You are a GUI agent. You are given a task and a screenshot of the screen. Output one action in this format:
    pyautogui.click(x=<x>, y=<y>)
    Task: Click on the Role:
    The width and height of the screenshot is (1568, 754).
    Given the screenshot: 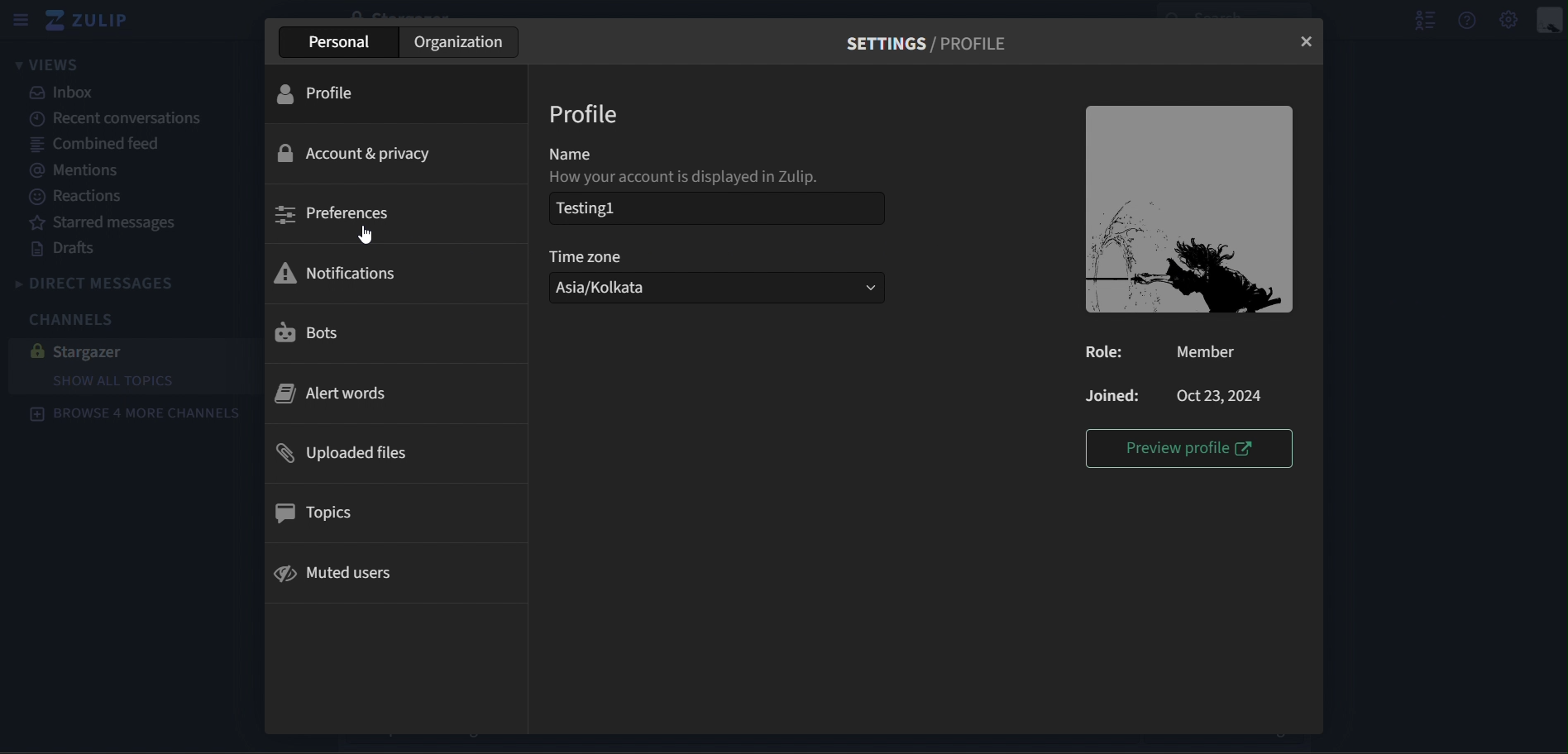 What is the action you would take?
    pyautogui.click(x=1111, y=351)
    